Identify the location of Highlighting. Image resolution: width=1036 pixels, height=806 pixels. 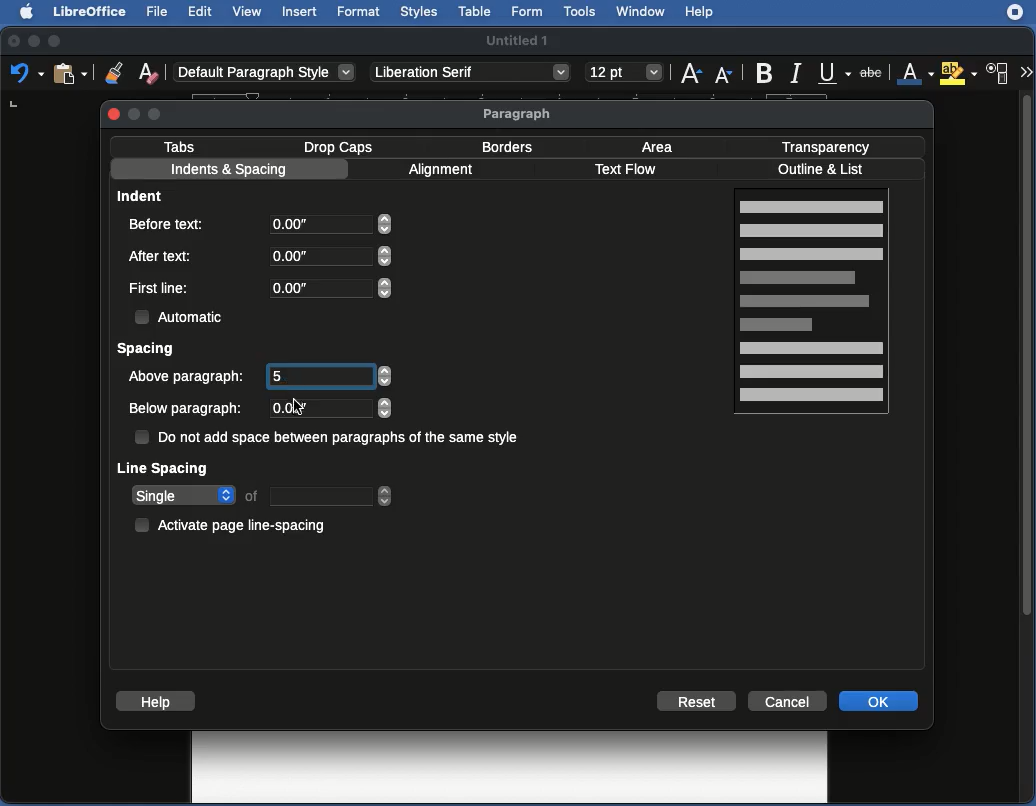
(960, 73).